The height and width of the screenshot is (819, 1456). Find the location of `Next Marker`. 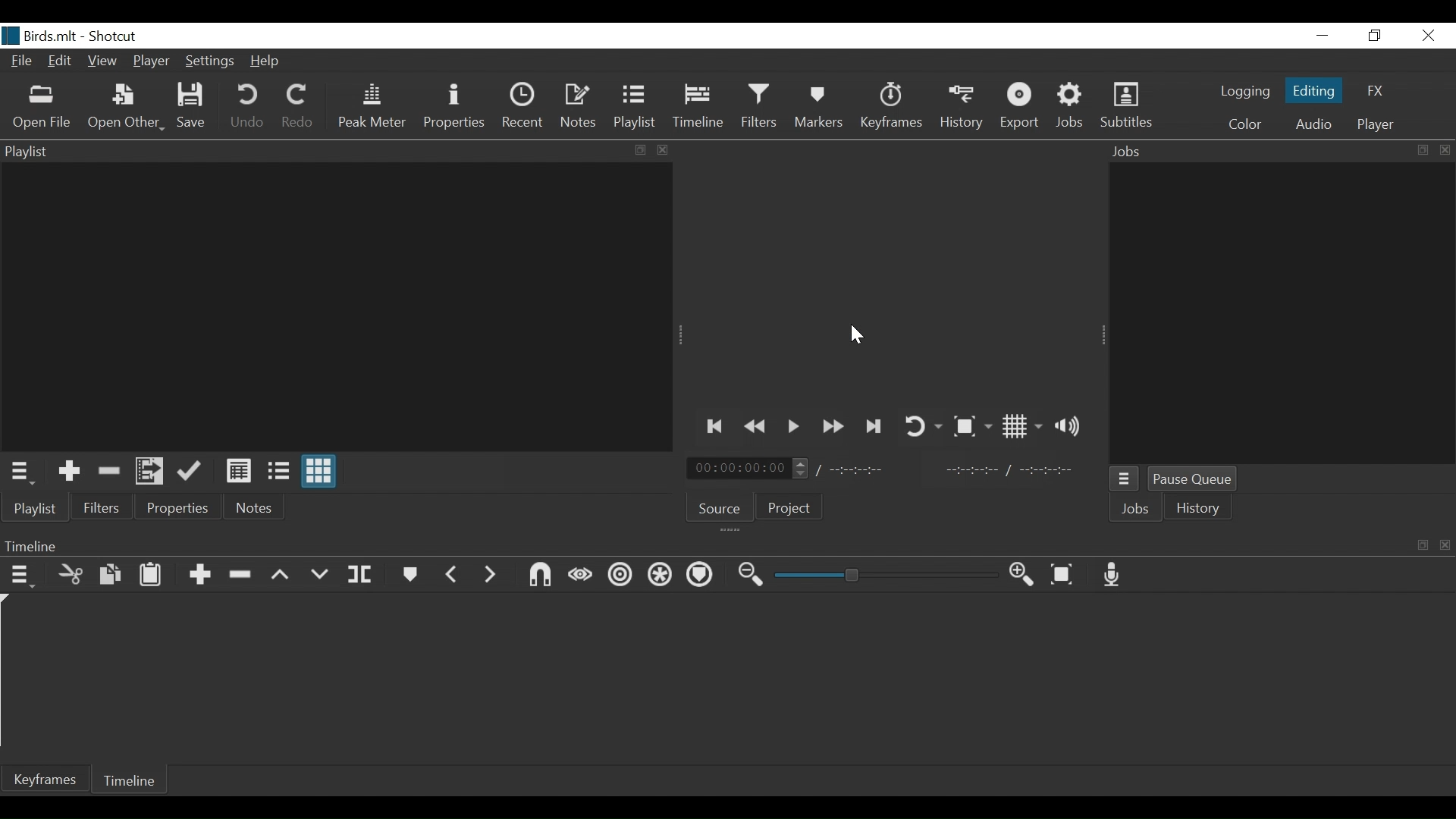

Next Marker is located at coordinates (491, 573).